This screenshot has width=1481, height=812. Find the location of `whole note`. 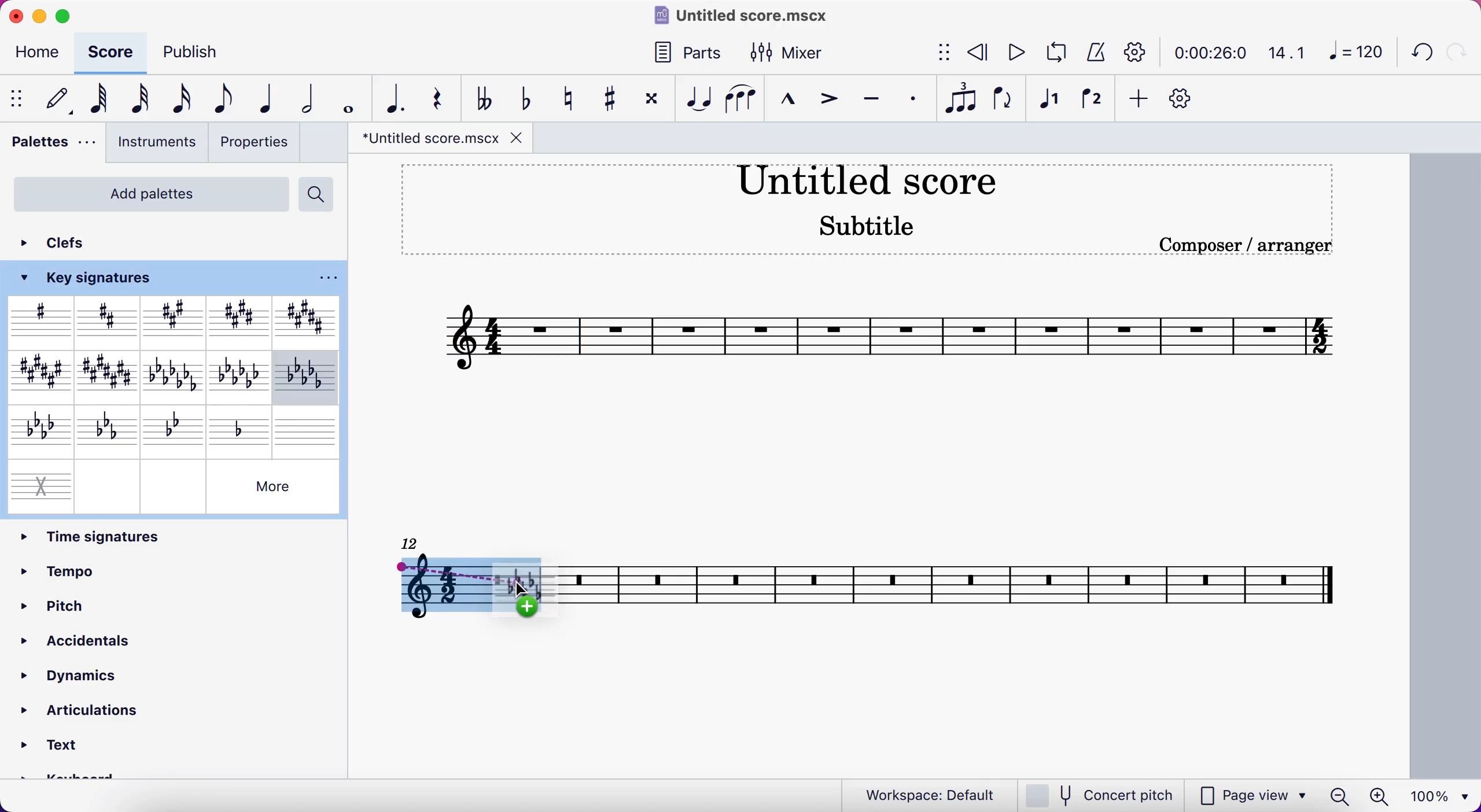

whole note is located at coordinates (350, 95).